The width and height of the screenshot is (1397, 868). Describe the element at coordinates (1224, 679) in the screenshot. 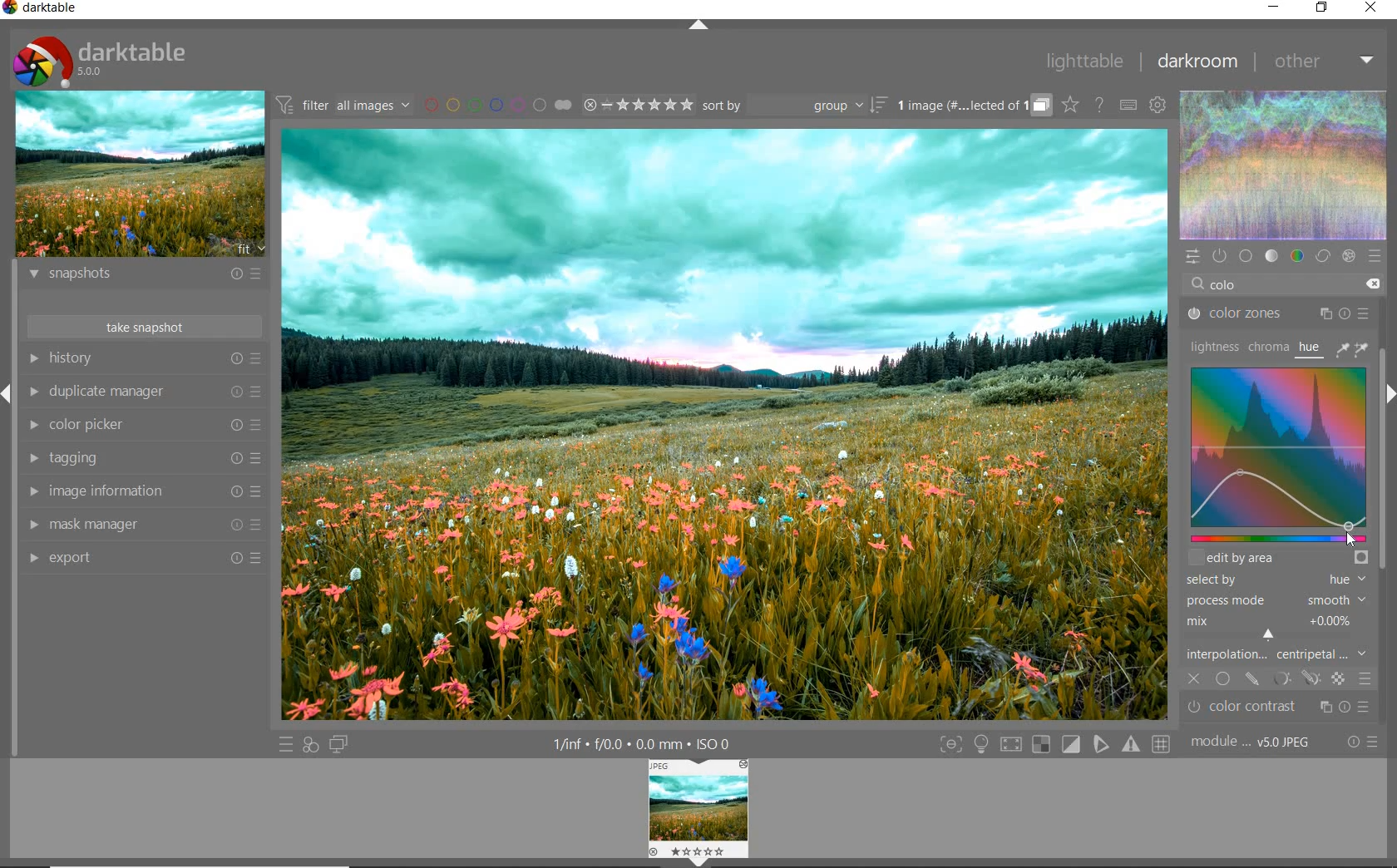

I see `uniformly` at that location.